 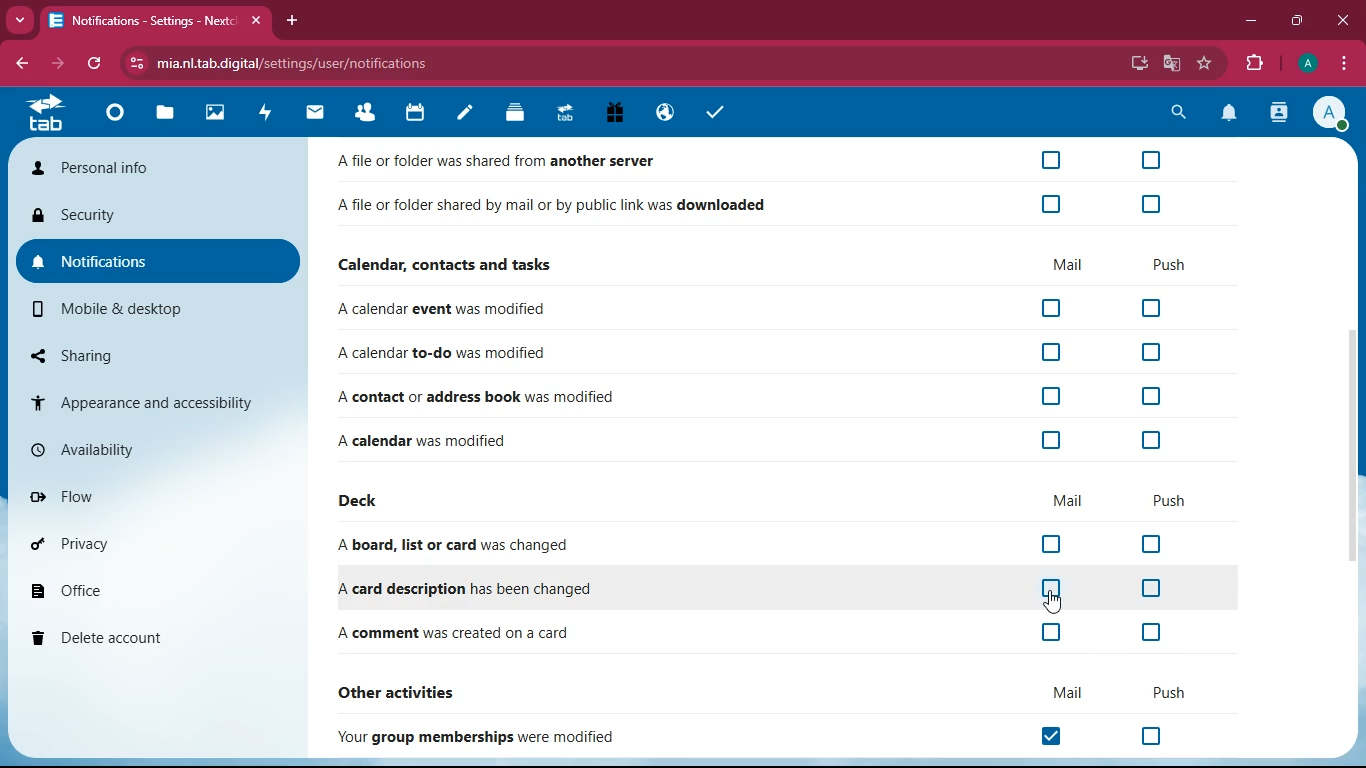 I want to click on close, so click(x=1340, y=21).